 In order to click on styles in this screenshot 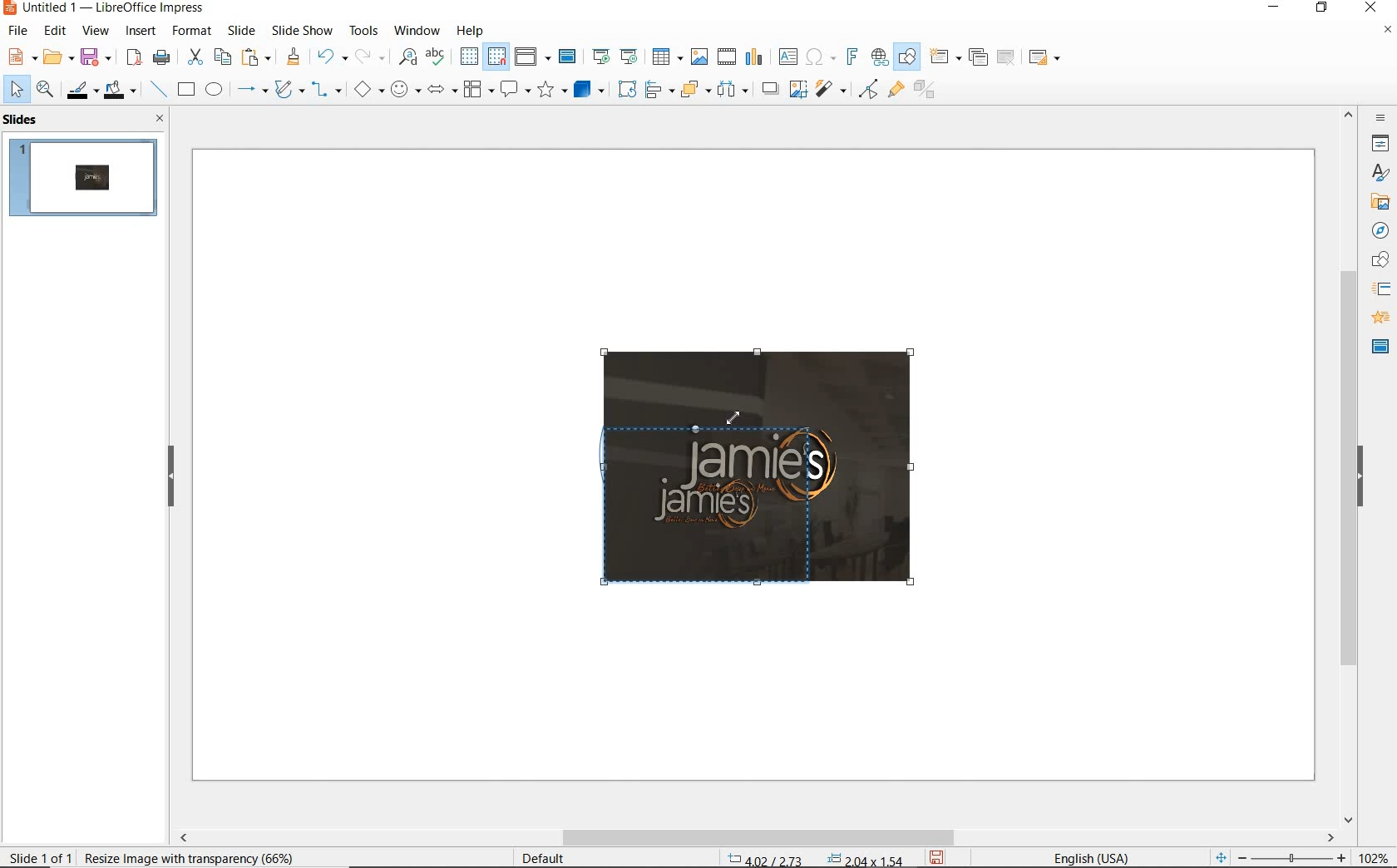, I will do `click(1380, 174)`.